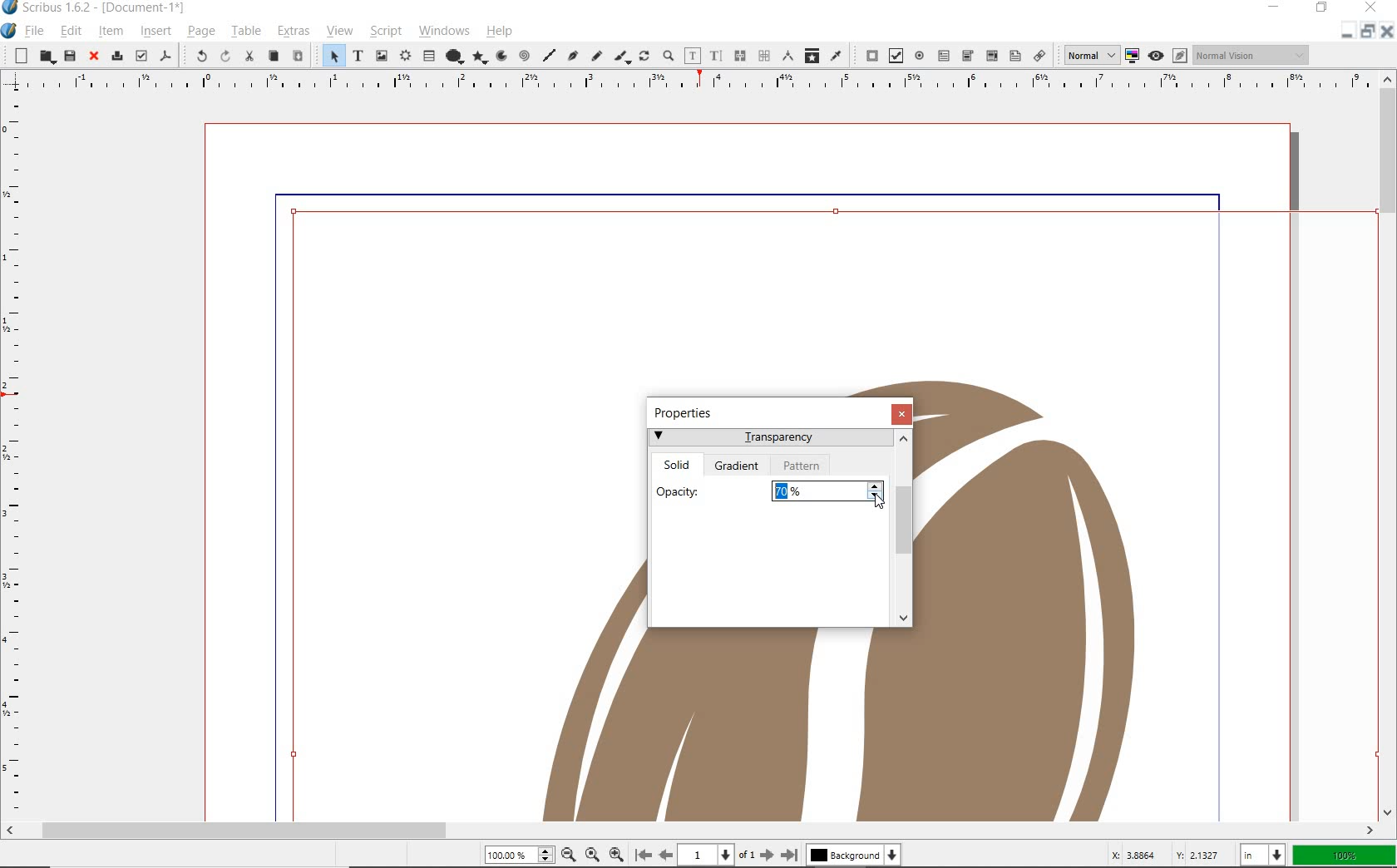 Image resolution: width=1397 pixels, height=868 pixels. I want to click on pdf radio button, so click(920, 55).